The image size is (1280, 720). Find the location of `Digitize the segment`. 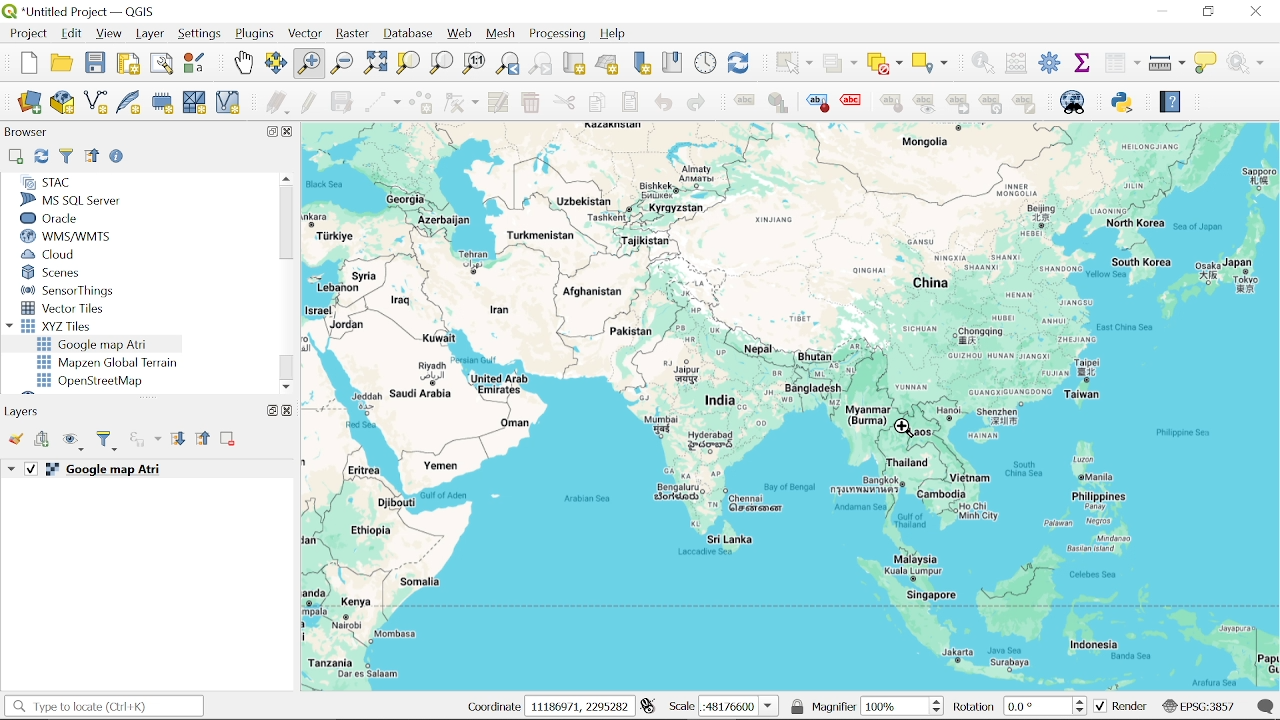

Digitize the segment is located at coordinates (381, 104).